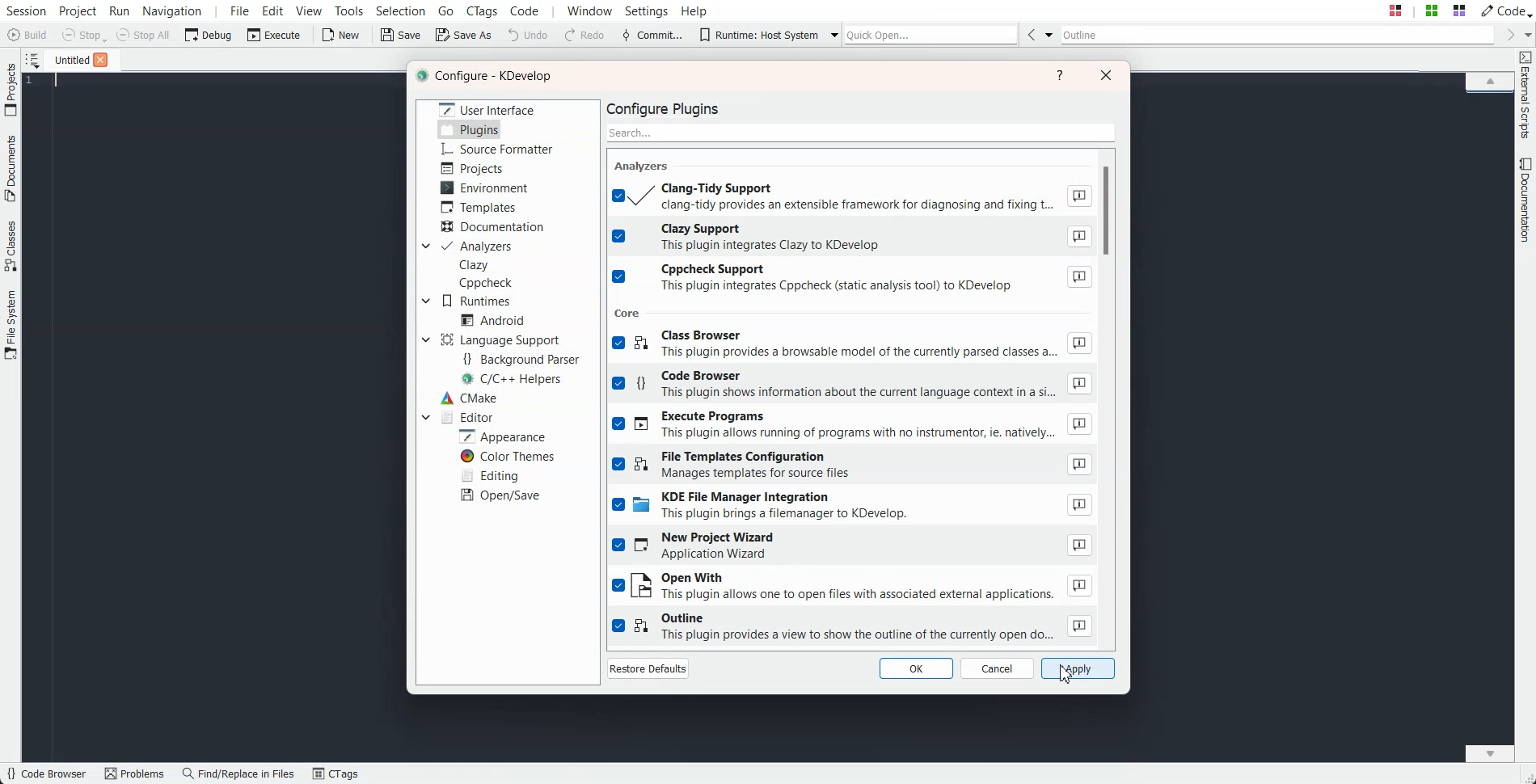  I want to click on Cancel, so click(998, 668).